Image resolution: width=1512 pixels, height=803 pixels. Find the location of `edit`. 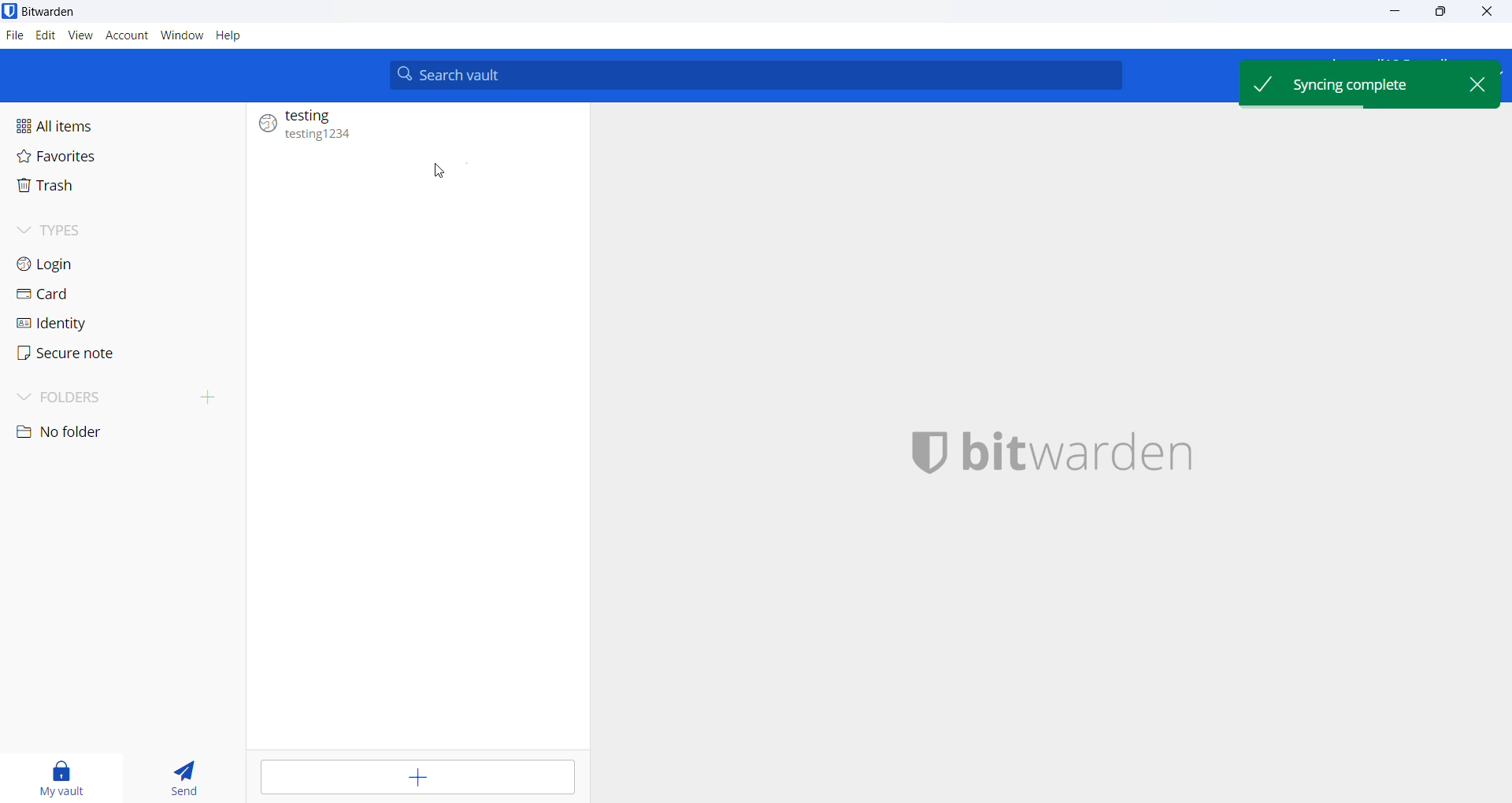

edit is located at coordinates (45, 36).